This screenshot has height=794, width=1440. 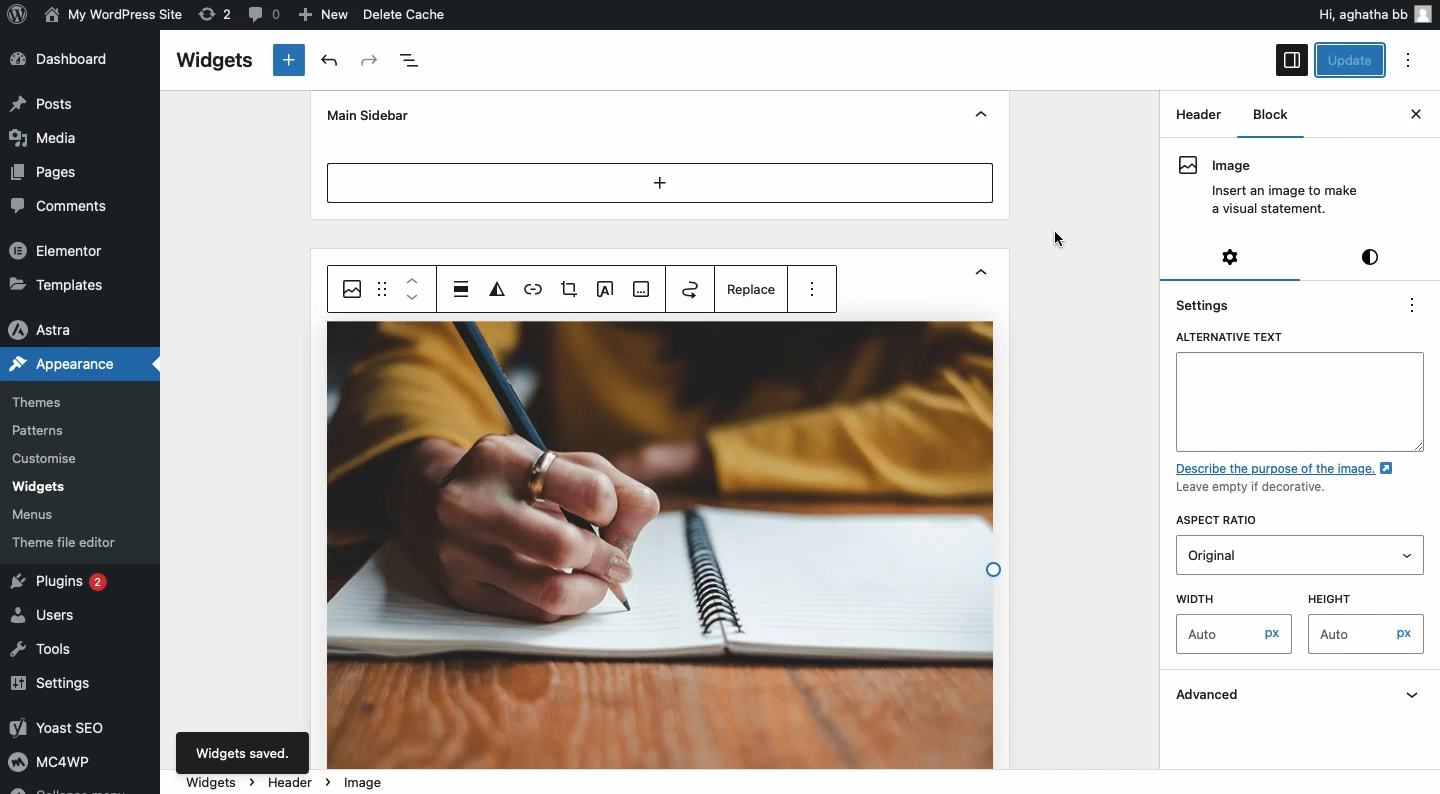 What do you see at coordinates (1302, 697) in the screenshot?
I see `Advanced` at bounding box center [1302, 697].